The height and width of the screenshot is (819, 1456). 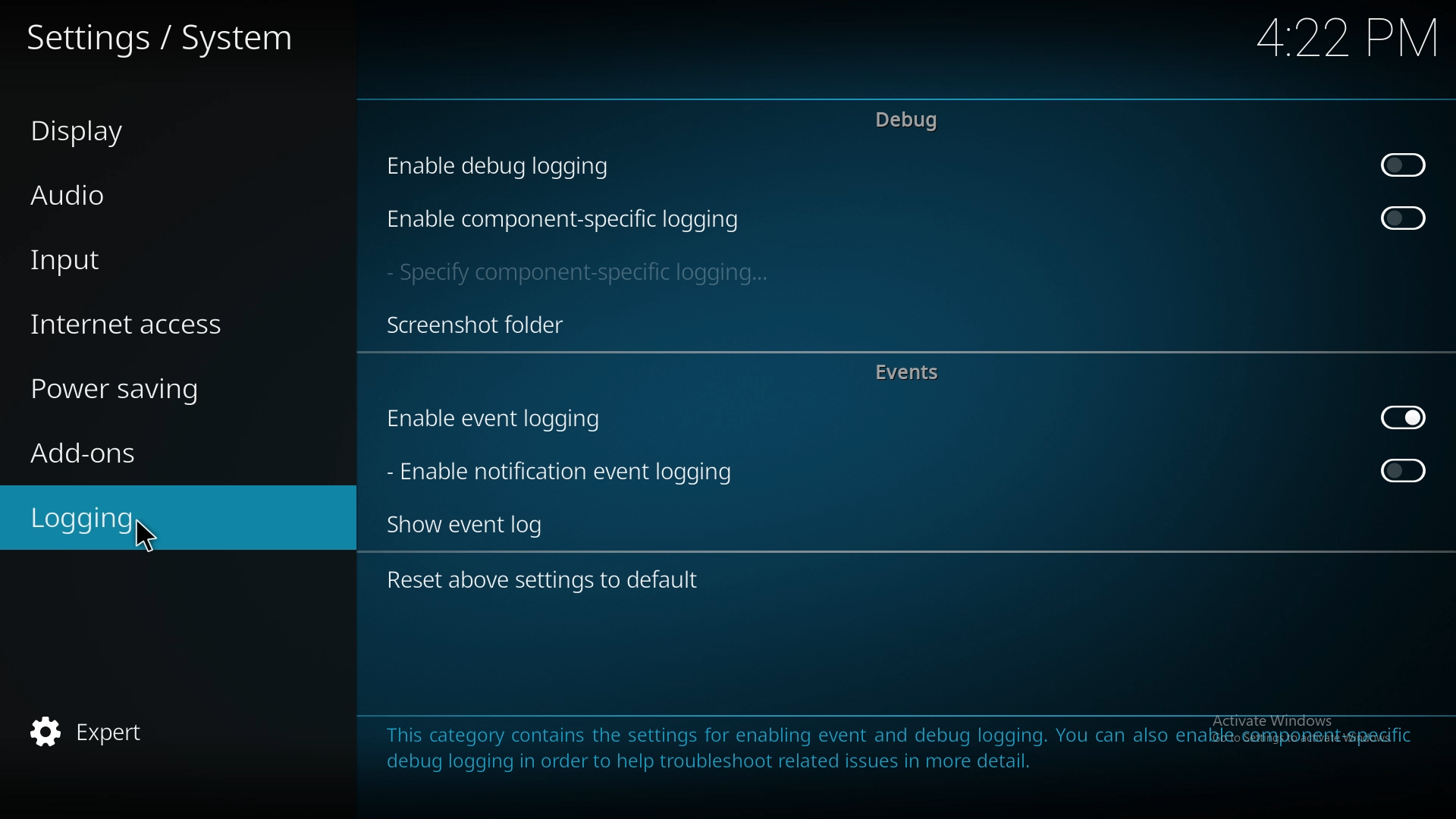 I want to click on off, so click(x=1402, y=219).